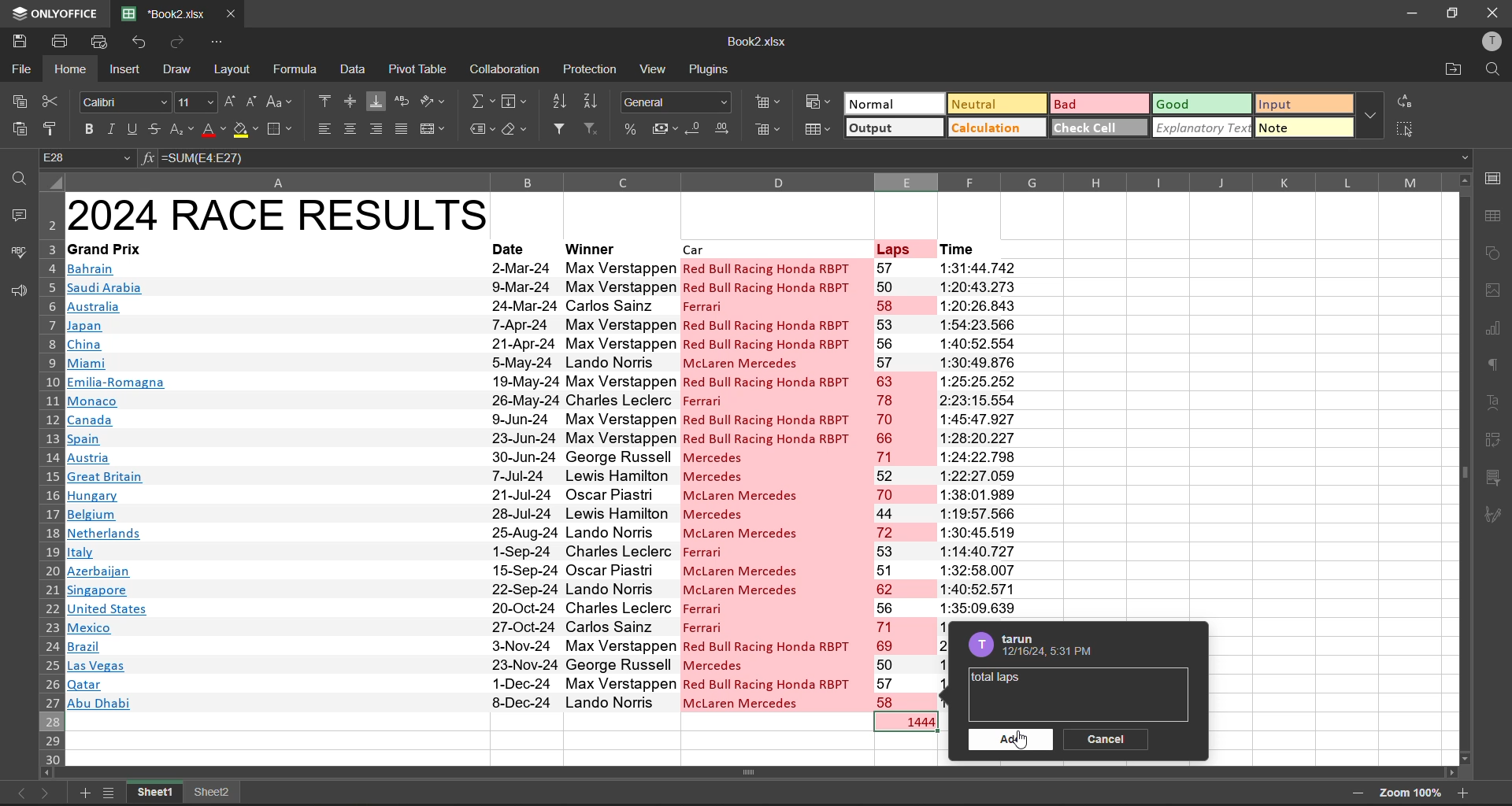  Describe the element at coordinates (162, 12) in the screenshot. I see `filename` at that location.